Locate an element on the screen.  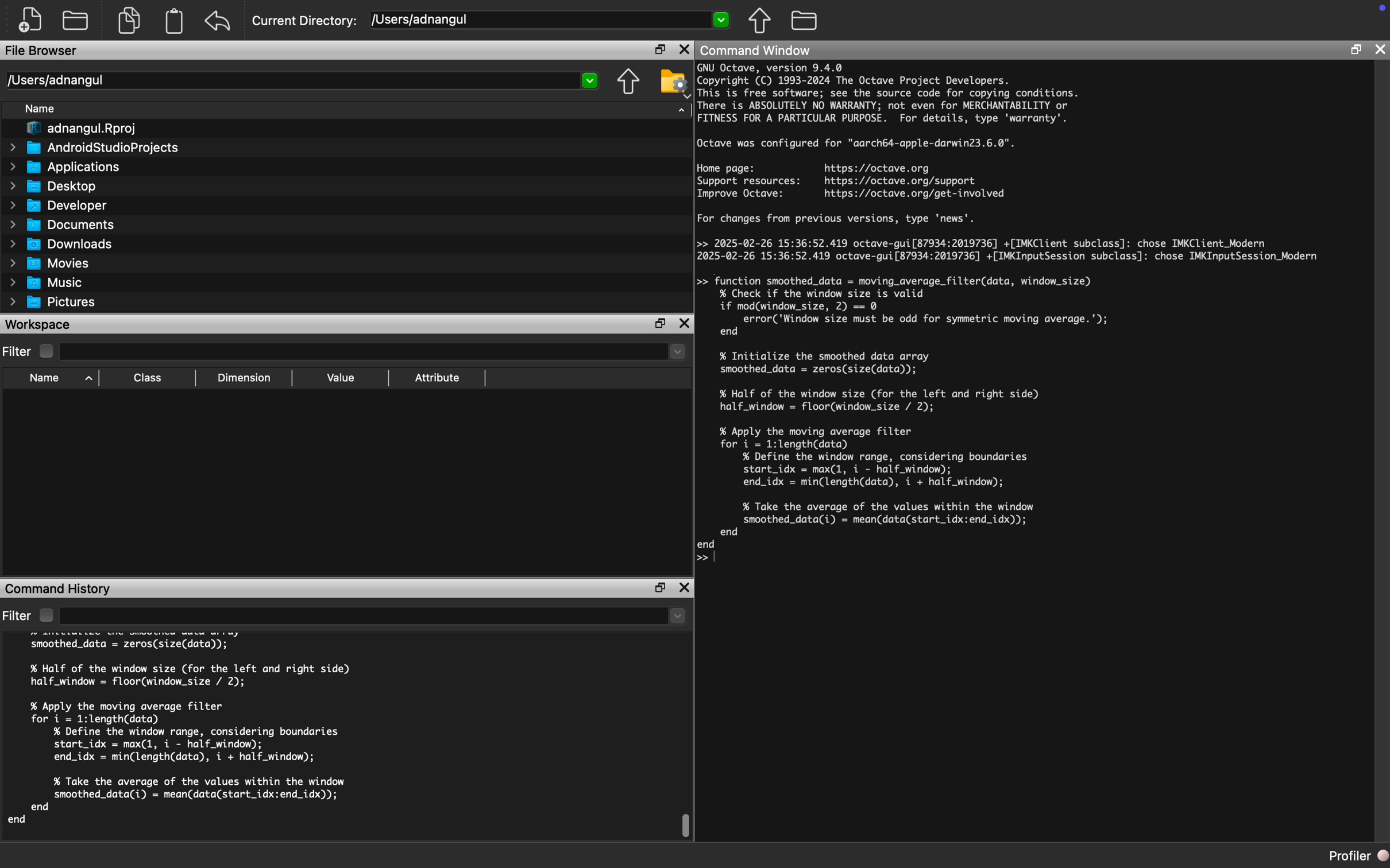
Attribute is located at coordinates (438, 378).